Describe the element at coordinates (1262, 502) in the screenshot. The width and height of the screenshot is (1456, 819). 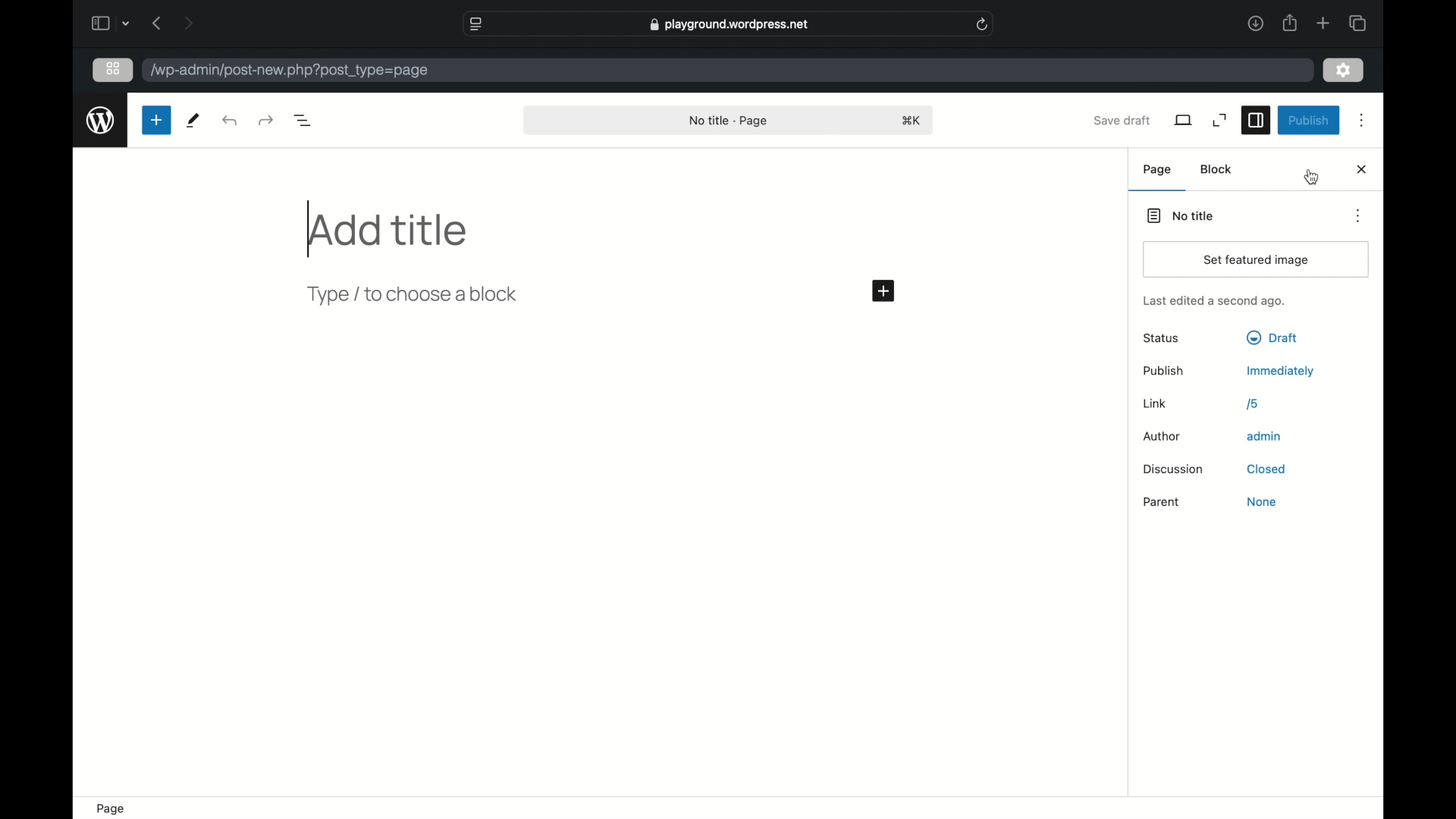
I see `none` at that location.